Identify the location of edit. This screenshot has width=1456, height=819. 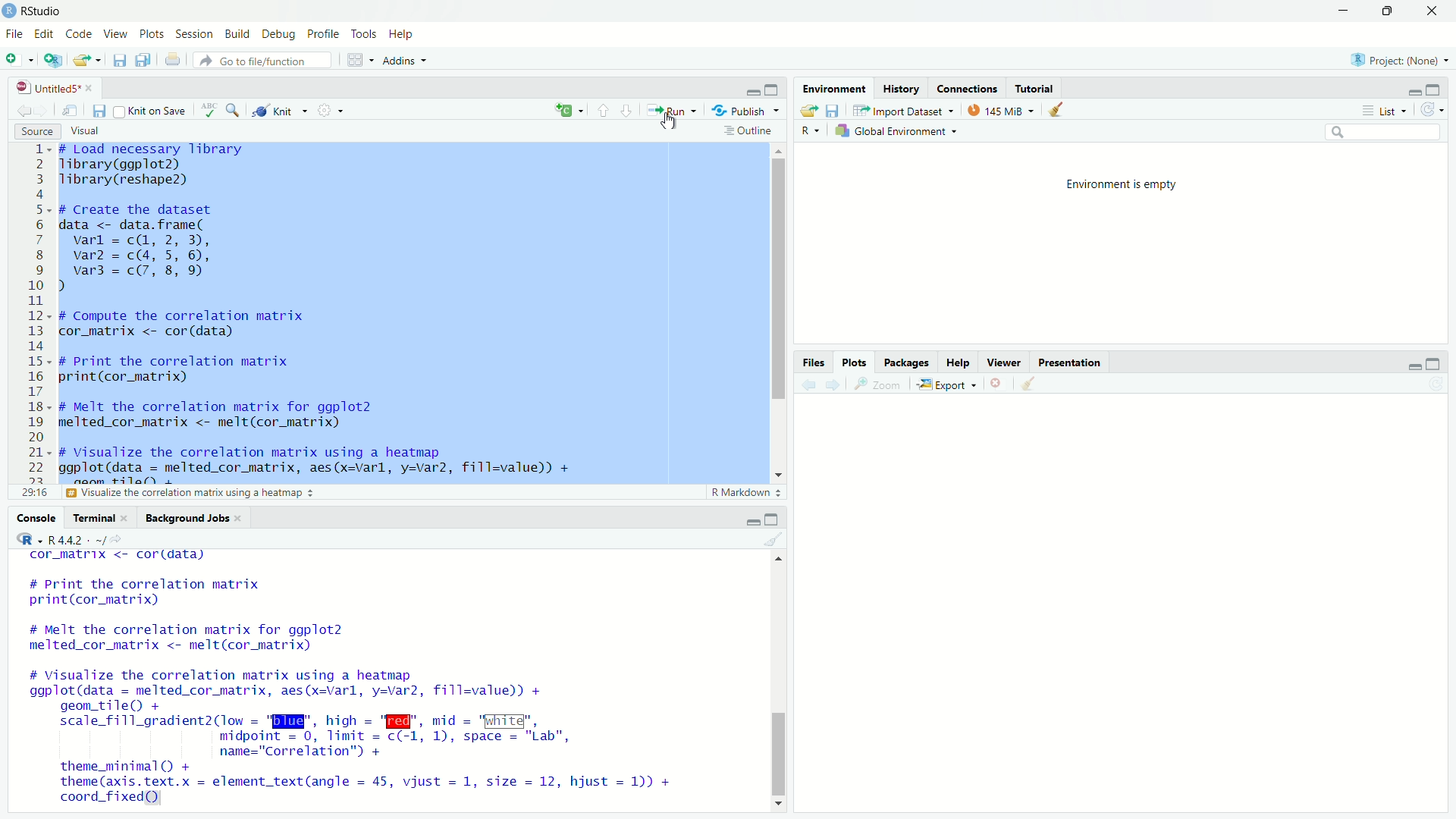
(43, 33).